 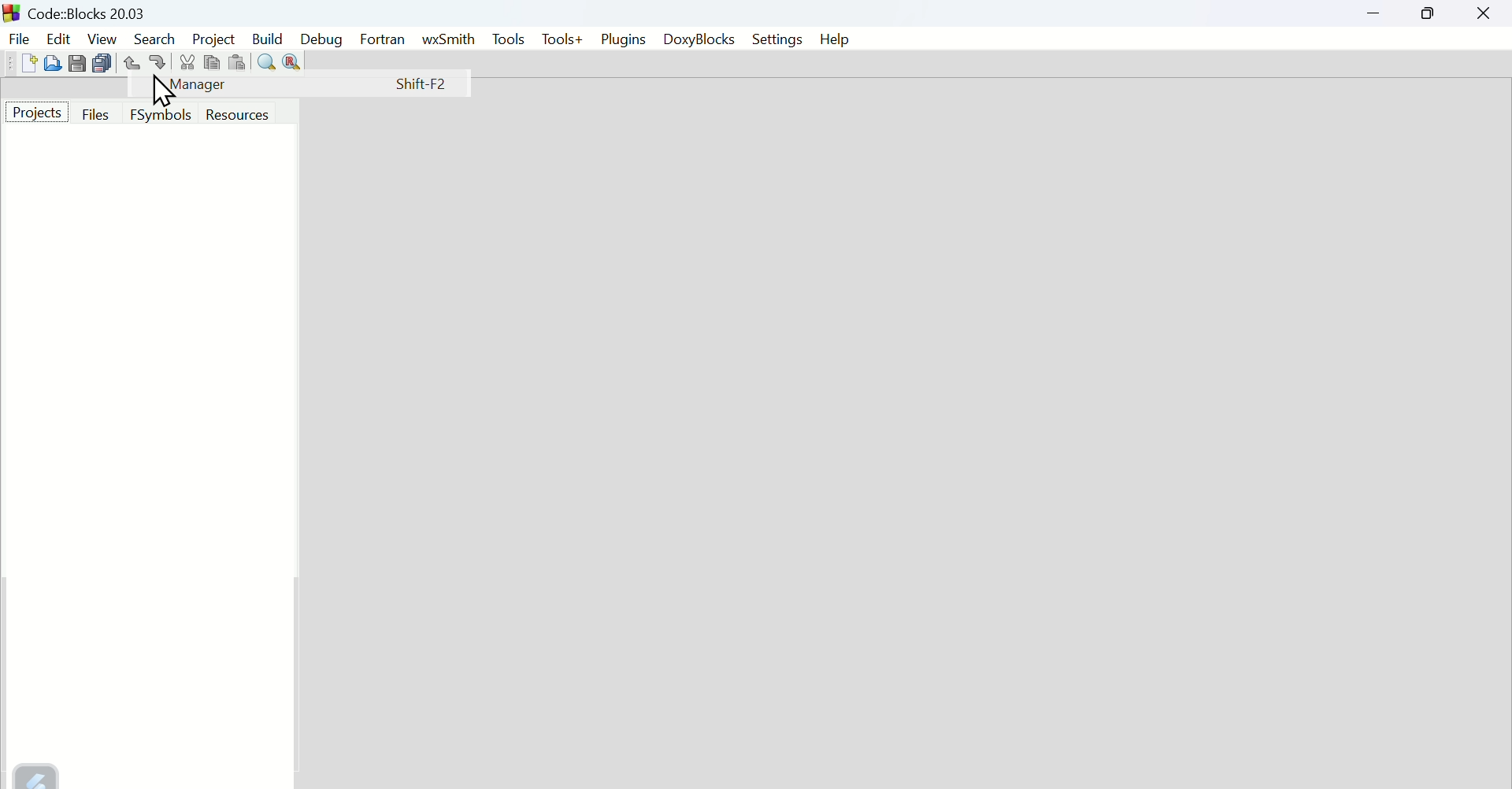 I want to click on Tools, so click(x=506, y=40).